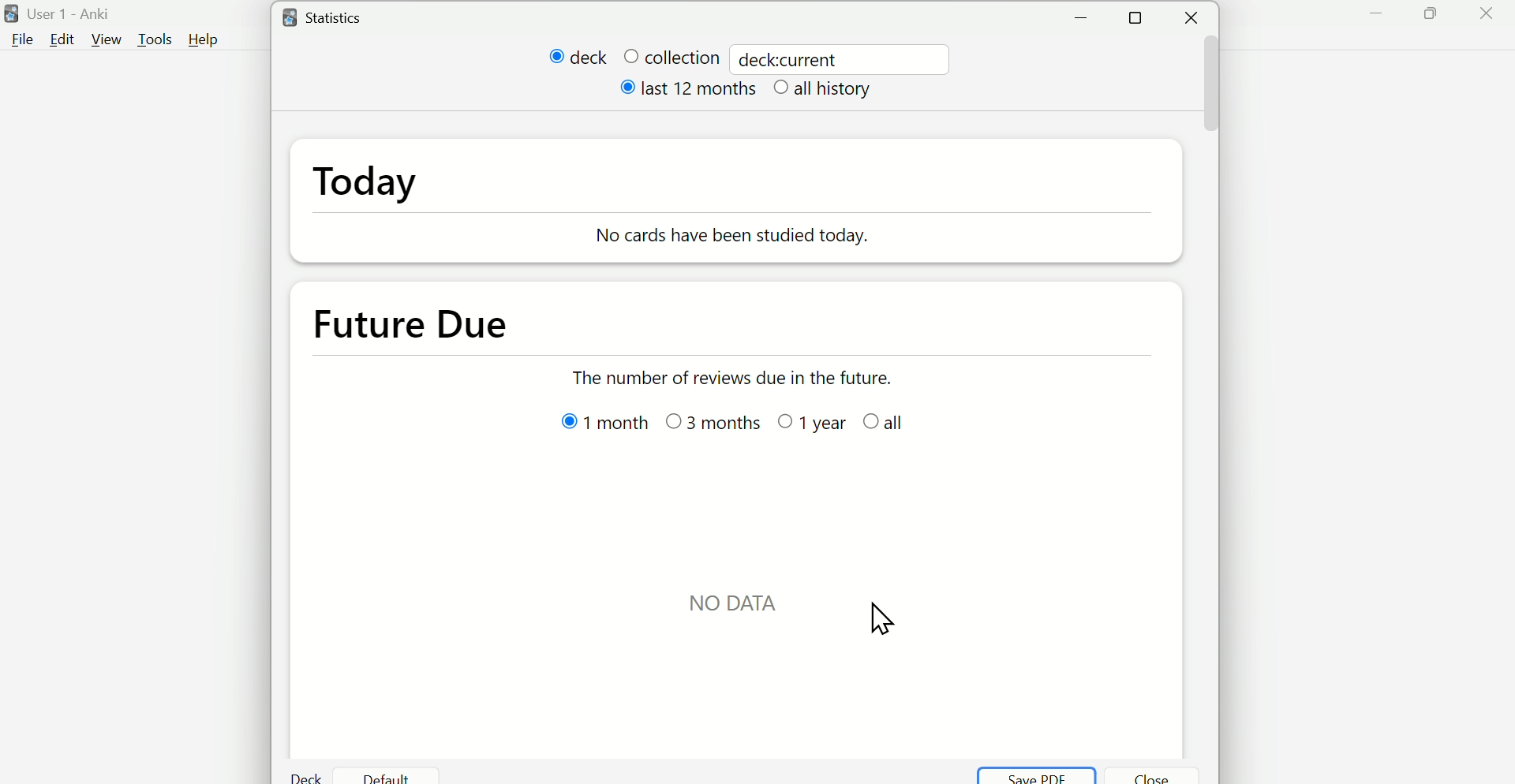  I want to click on User 1 - Anki, so click(66, 13).